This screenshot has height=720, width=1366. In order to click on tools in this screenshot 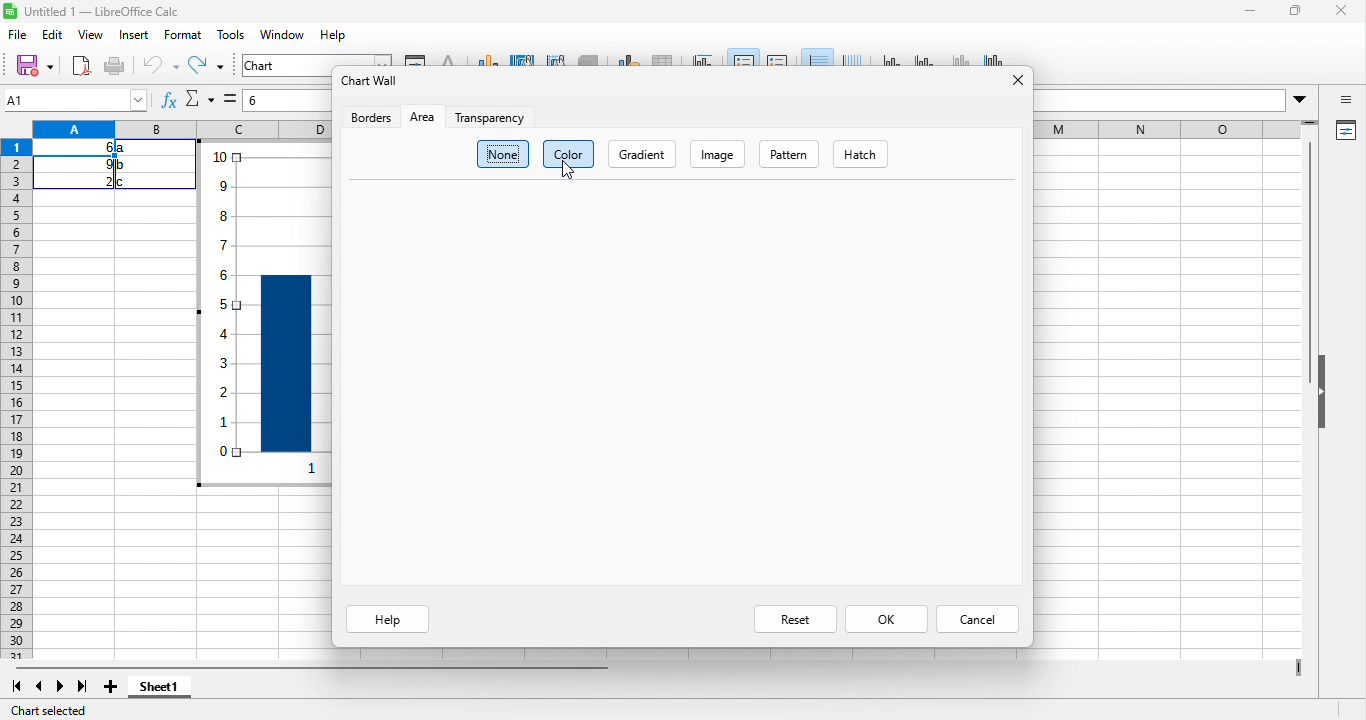, I will do `click(231, 36)`.